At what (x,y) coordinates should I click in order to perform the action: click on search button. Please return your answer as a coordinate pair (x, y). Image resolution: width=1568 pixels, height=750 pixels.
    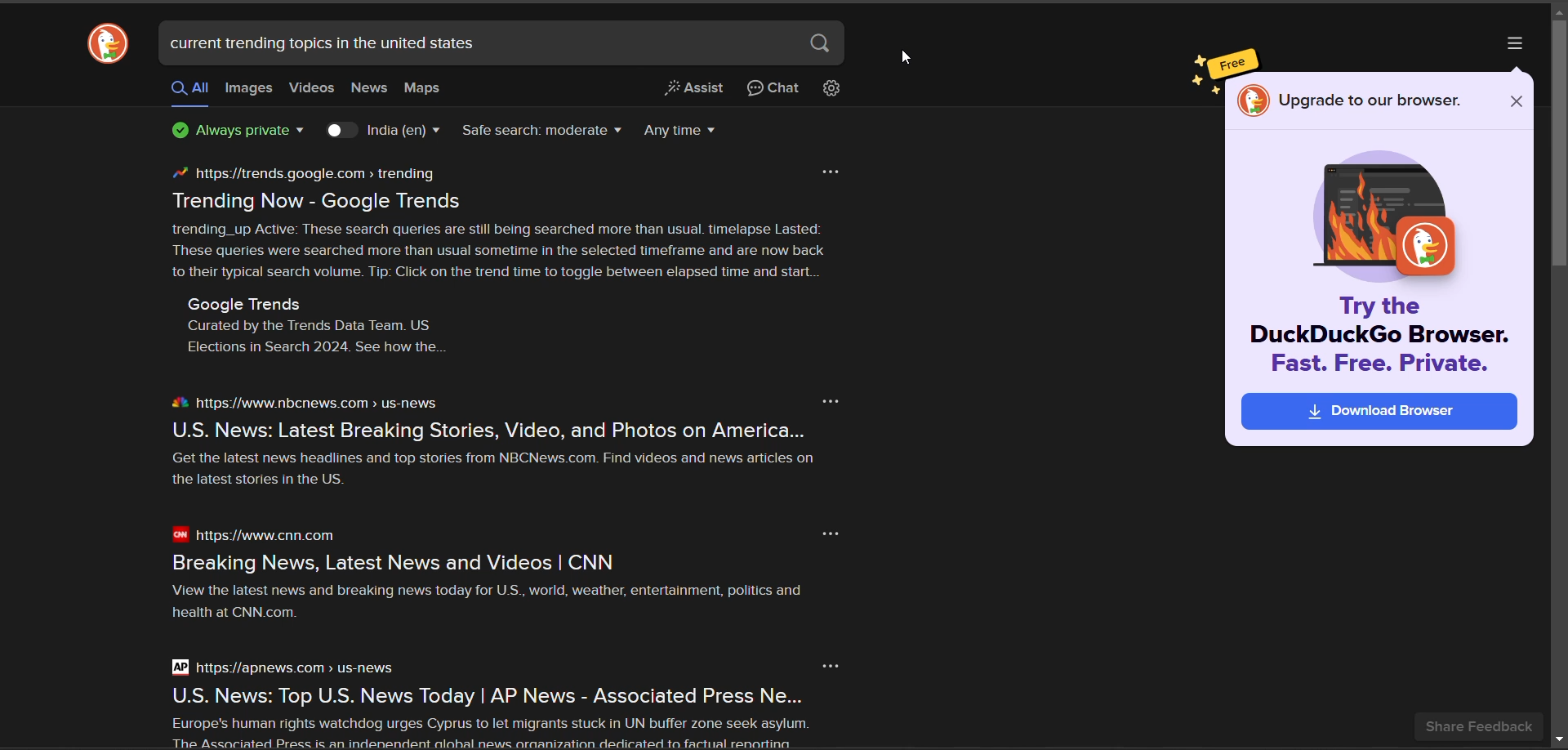
    Looking at the image, I should click on (822, 44).